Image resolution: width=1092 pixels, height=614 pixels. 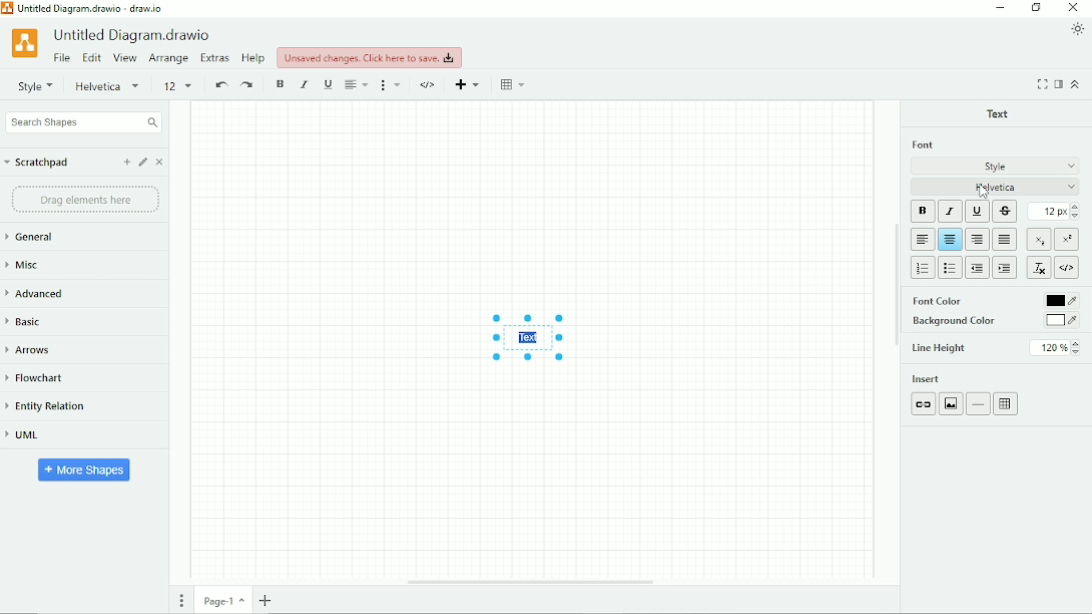 What do you see at coordinates (83, 122) in the screenshot?
I see `Search Shapes` at bounding box center [83, 122].